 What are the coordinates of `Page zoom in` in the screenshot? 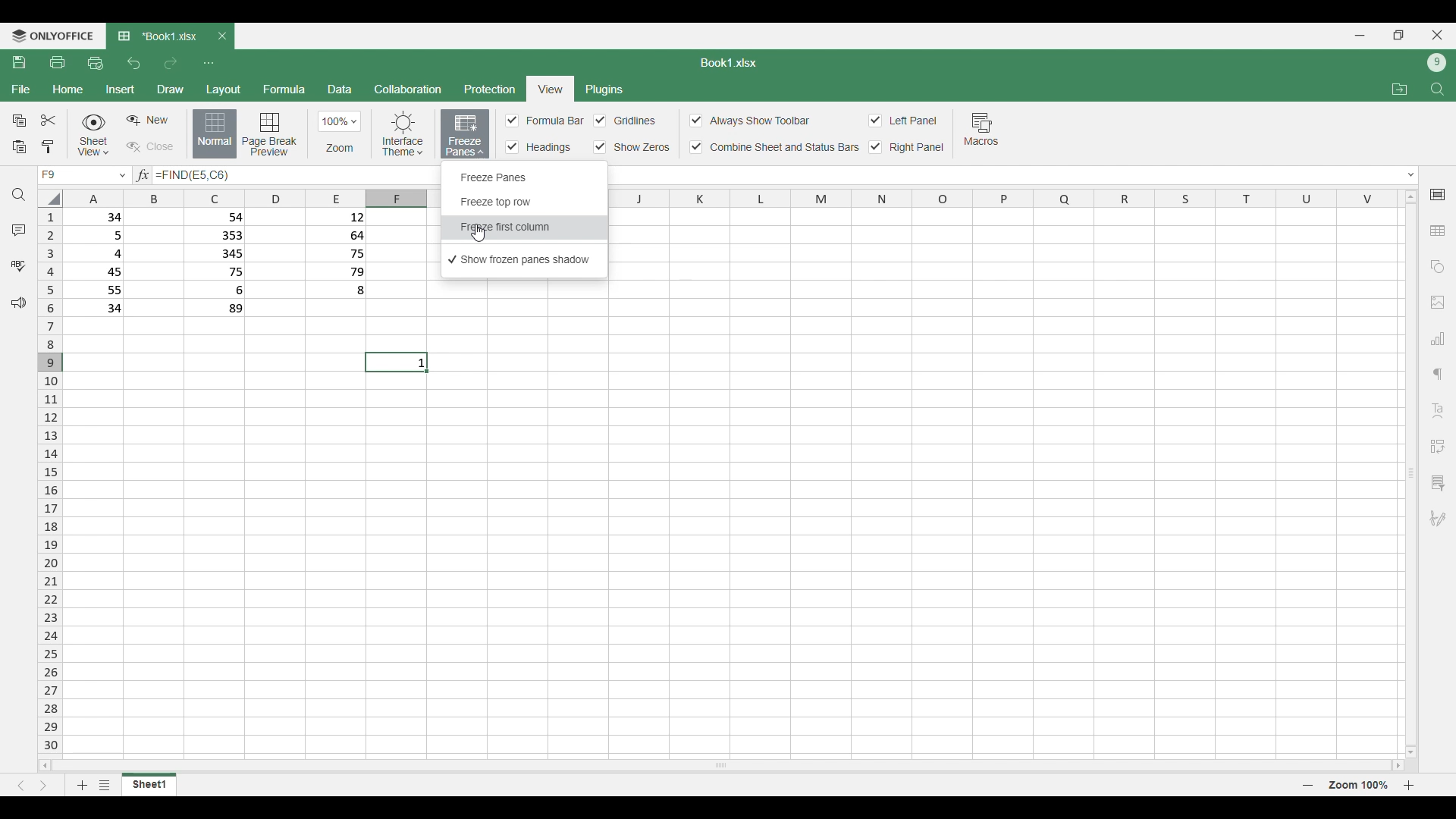 It's located at (1409, 786).